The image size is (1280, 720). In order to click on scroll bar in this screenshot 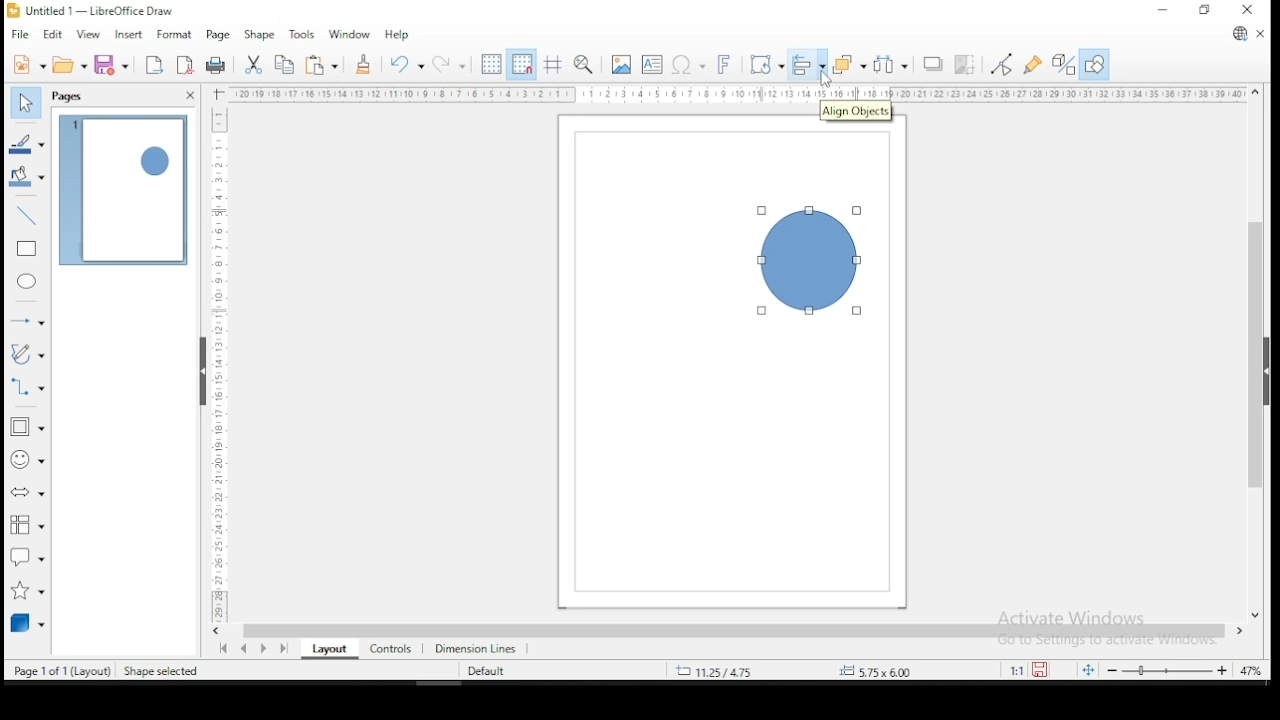, I will do `click(733, 630)`.